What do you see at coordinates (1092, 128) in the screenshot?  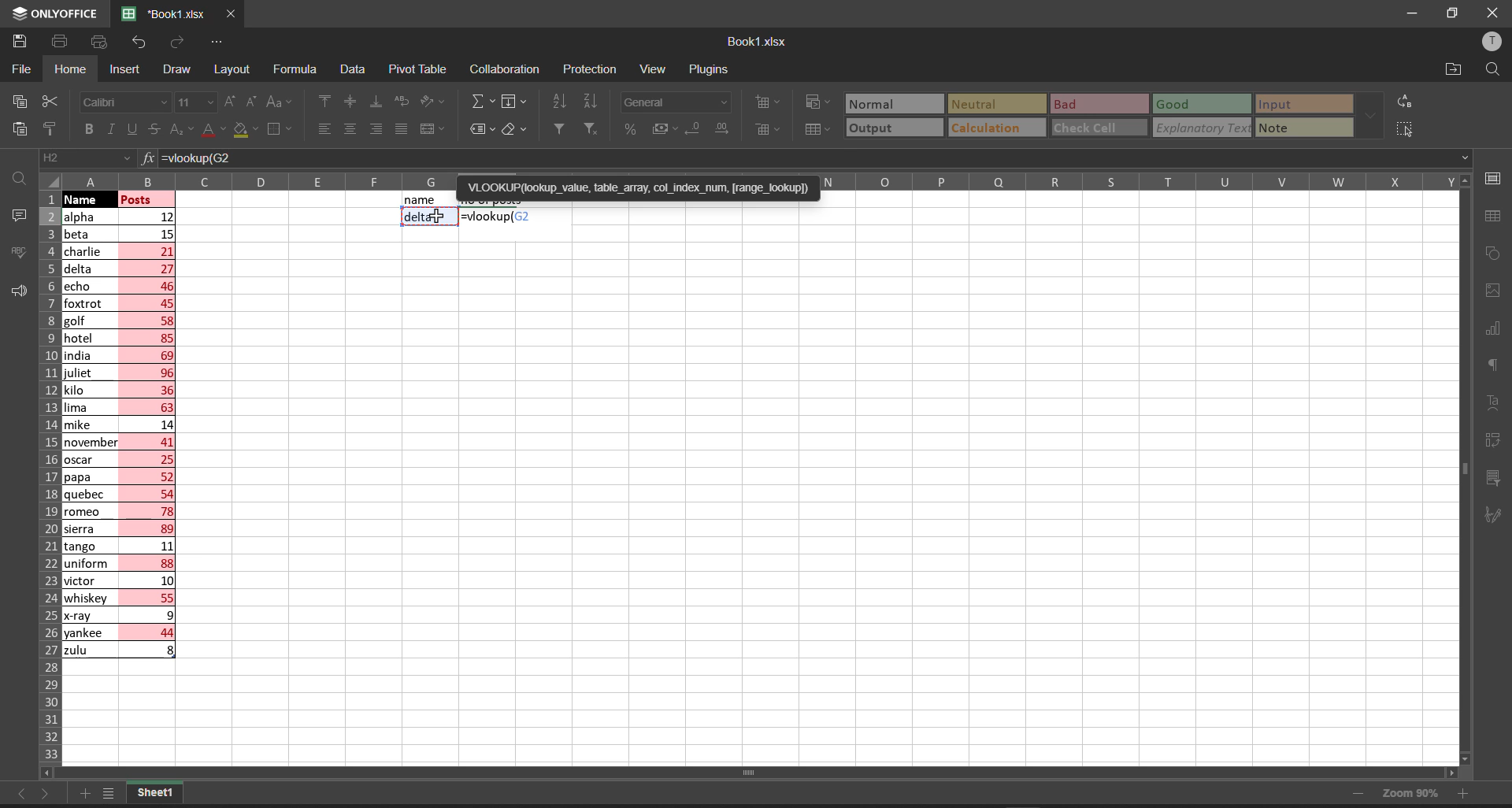 I see `check cell` at bounding box center [1092, 128].